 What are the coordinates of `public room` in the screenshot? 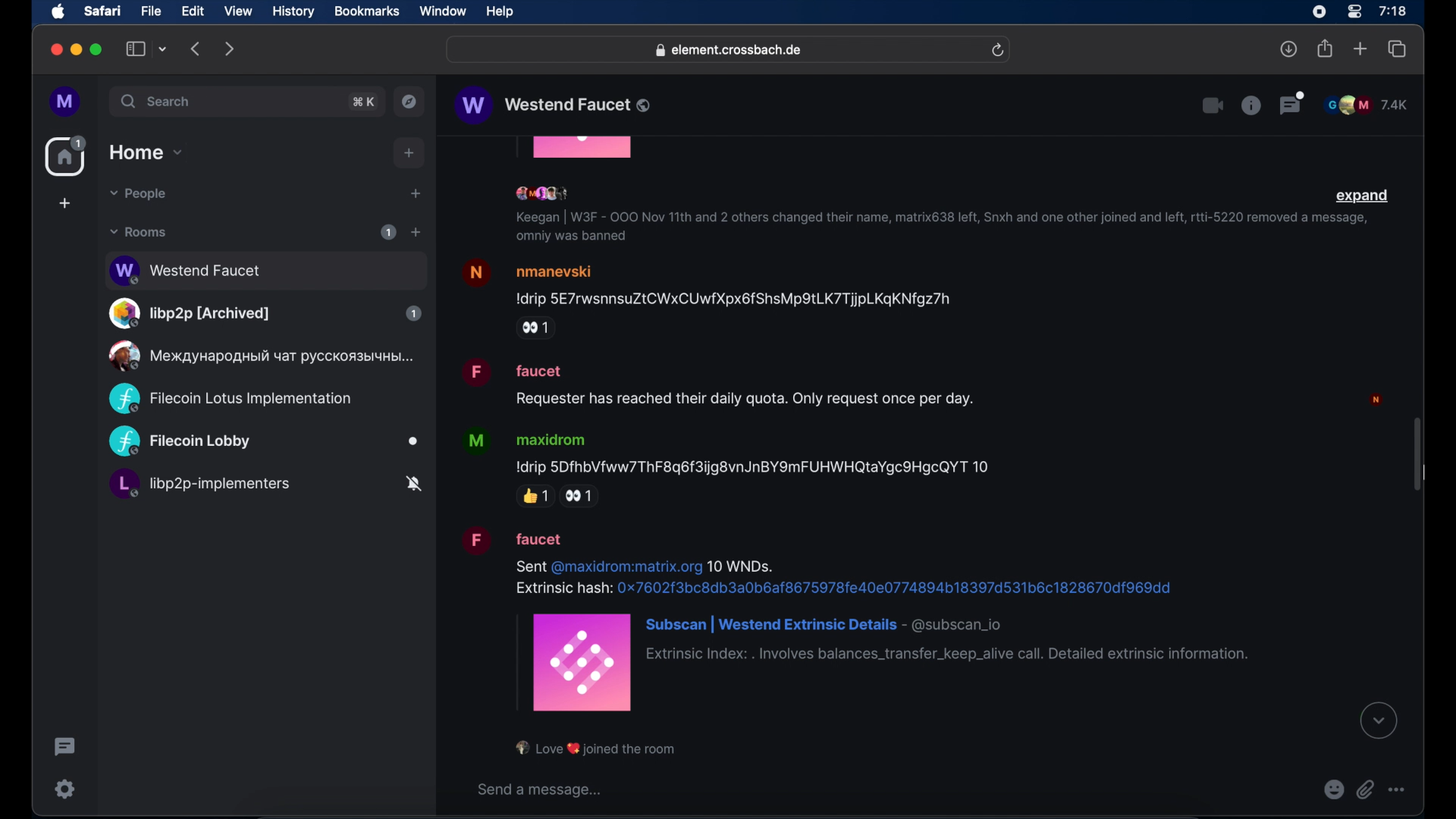 It's located at (230, 399).